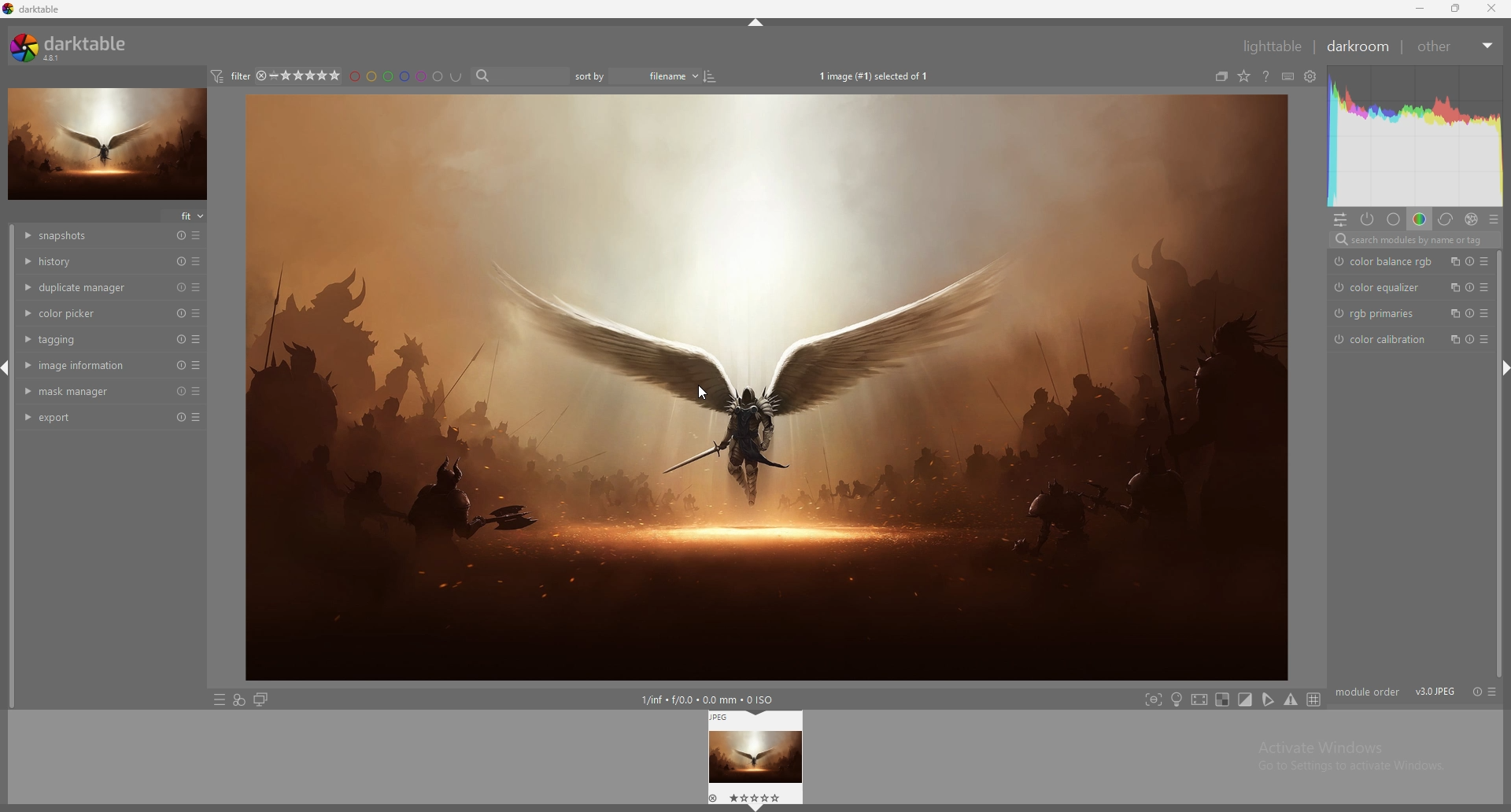 The height and width of the screenshot is (812, 1511). I want to click on toggle indication of raw overexposure, so click(1222, 699).